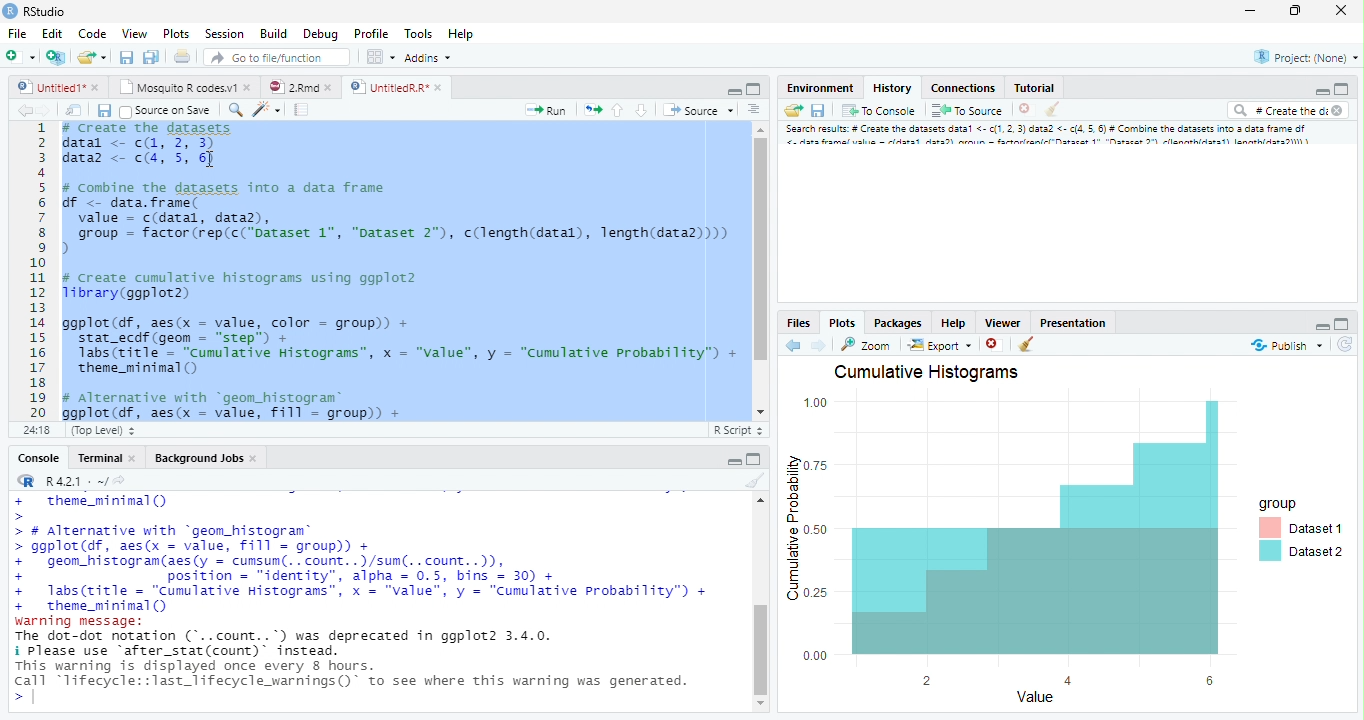  Describe the element at coordinates (402, 271) in the screenshot. I see `# Combine the dataset into a data frame f <- data.frame(value = c(datal, data),group = factor (rep(c("Dataset 1", "Dataset 2"), c(length(datal), length(data2))))create cumulative histograms using ggplot2brary (ggplot2)gplot(df, aes(x = value, color = group)) +stat_ecdf (geom = “step”) +Tabs(ritle = “cumulative Histograms”, x = "value", y = “Cumulative Probability”) +theme_mininal ()Alternative with “geom_histogram®gplot(df, aes(x = value, Fill = group)) +geon_histogram(aes(y = cumsum(.. count. .)/sun(. .count..)),position = "identity", alpha = 0.5, bins = 30) +1abs(title = “Cumulative Histograms”, x = "value", y = “Cumulative Probability”) +` at that location.